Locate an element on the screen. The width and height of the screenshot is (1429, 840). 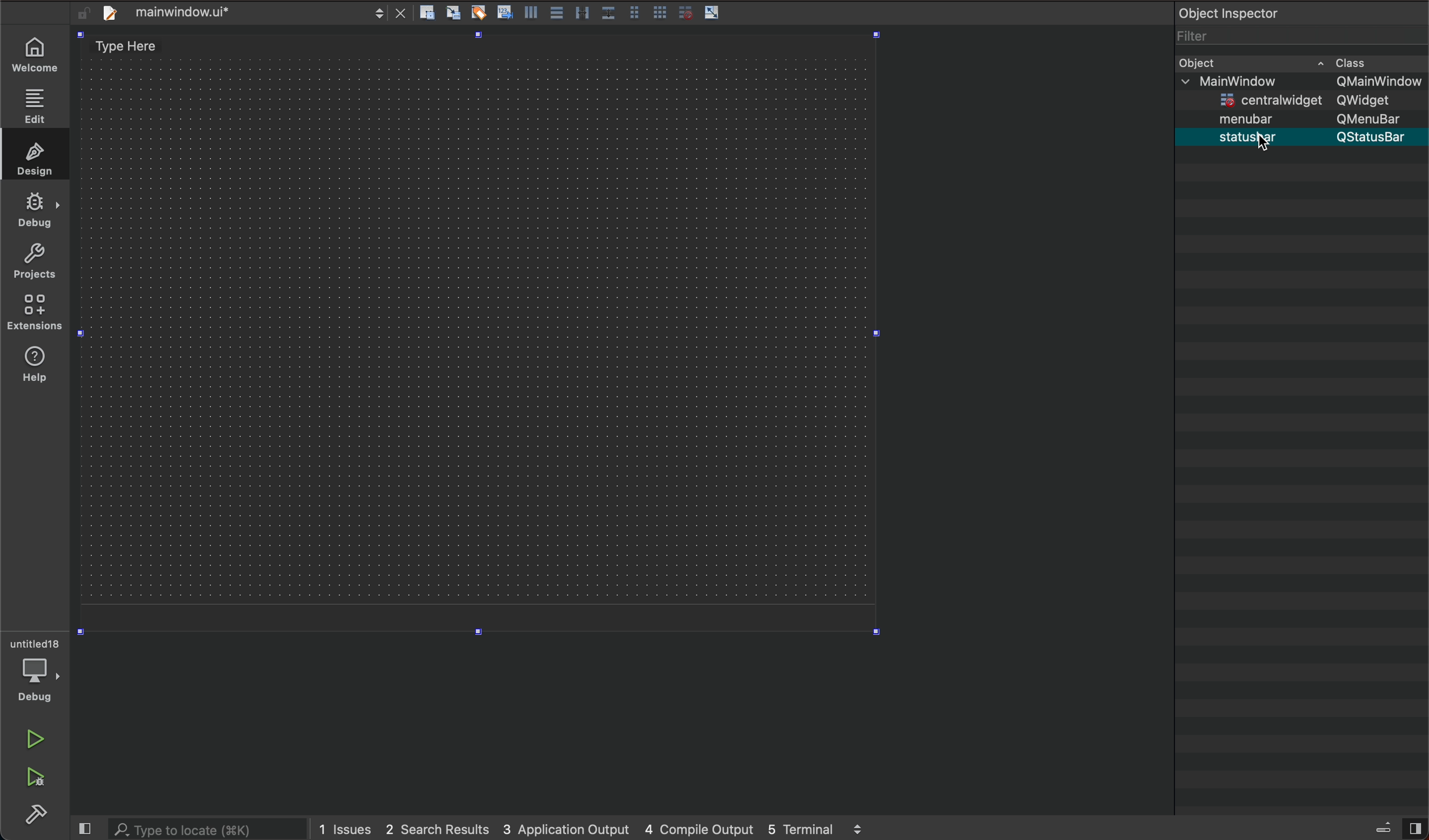
build is located at coordinates (34, 813).